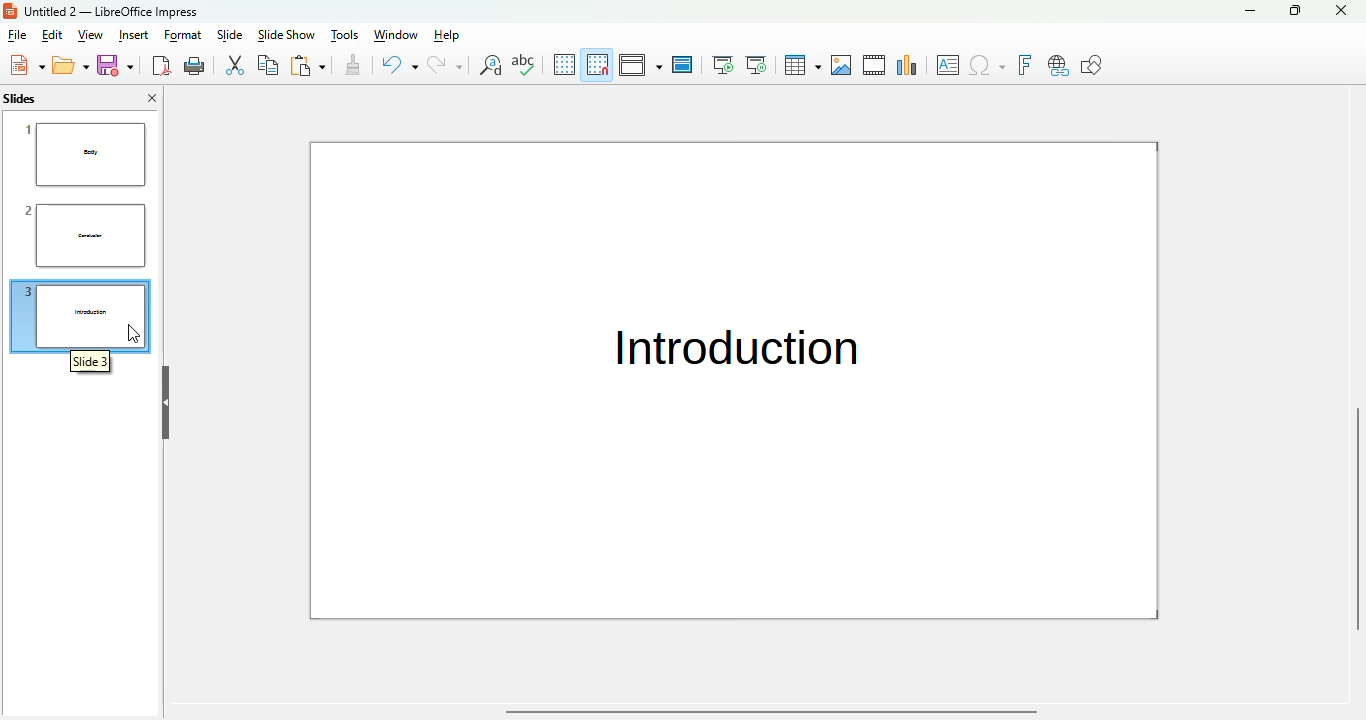 The width and height of the screenshot is (1366, 720). What do you see at coordinates (396, 35) in the screenshot?
I see `window` at bounding box center [396, 35].